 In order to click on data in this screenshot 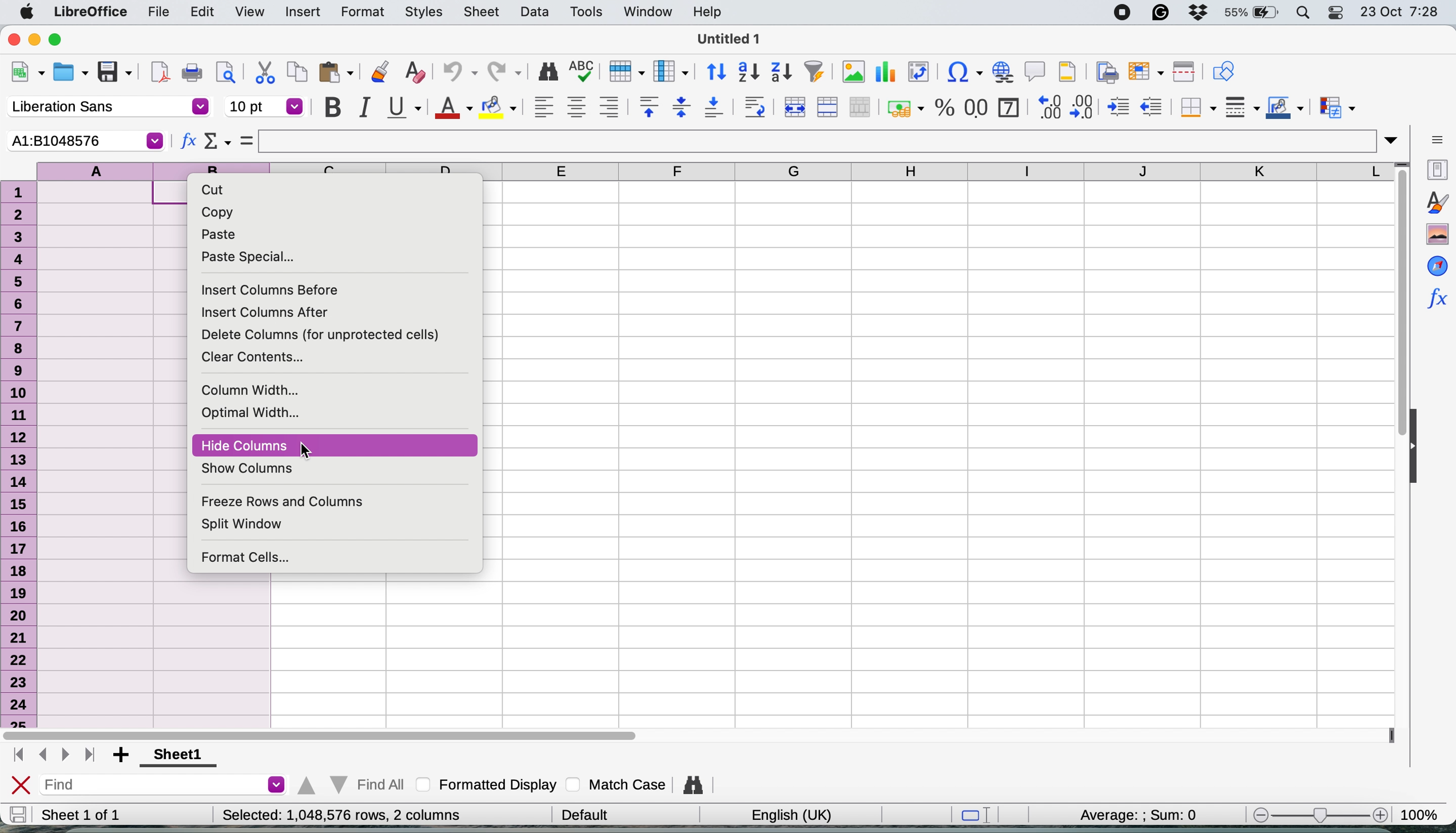, I will do `click(535, 14)`.